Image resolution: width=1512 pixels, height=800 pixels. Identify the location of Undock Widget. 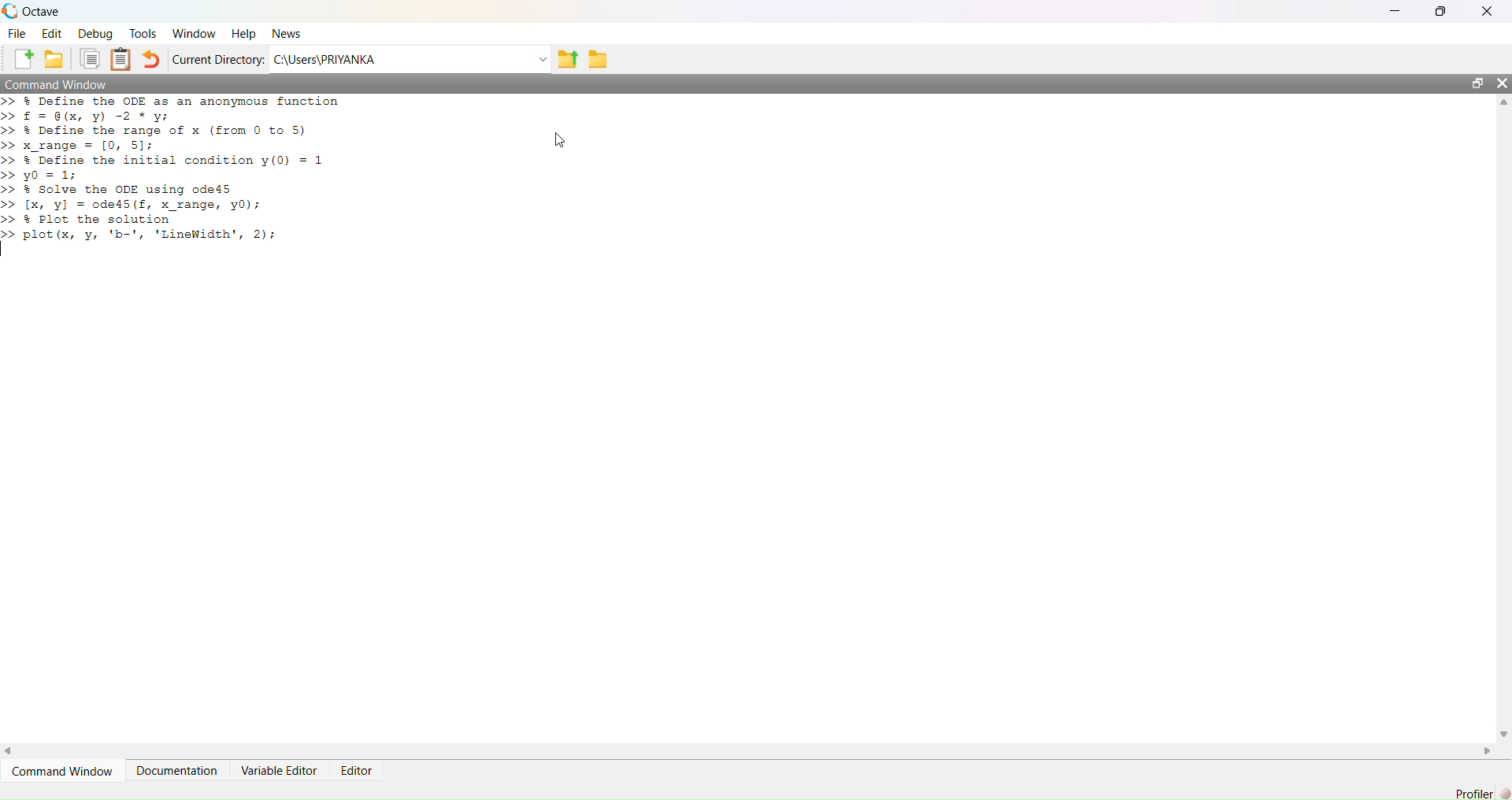
(1478, 83).